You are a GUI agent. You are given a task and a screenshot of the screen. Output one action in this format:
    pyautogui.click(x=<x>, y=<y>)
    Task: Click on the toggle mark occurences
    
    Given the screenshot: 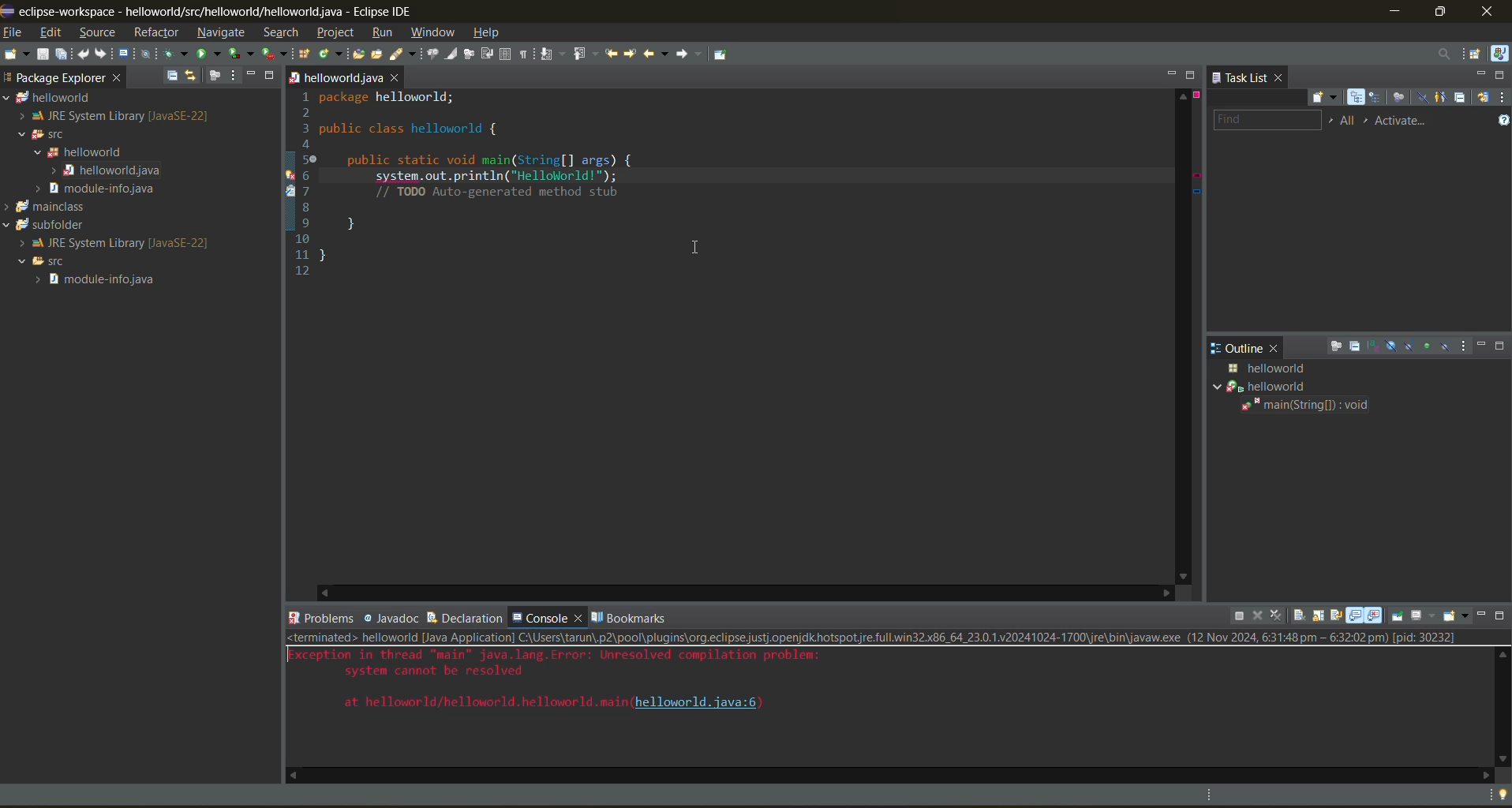 What is the action you would take?
    pyautogui.click(x=453, y=56)
    